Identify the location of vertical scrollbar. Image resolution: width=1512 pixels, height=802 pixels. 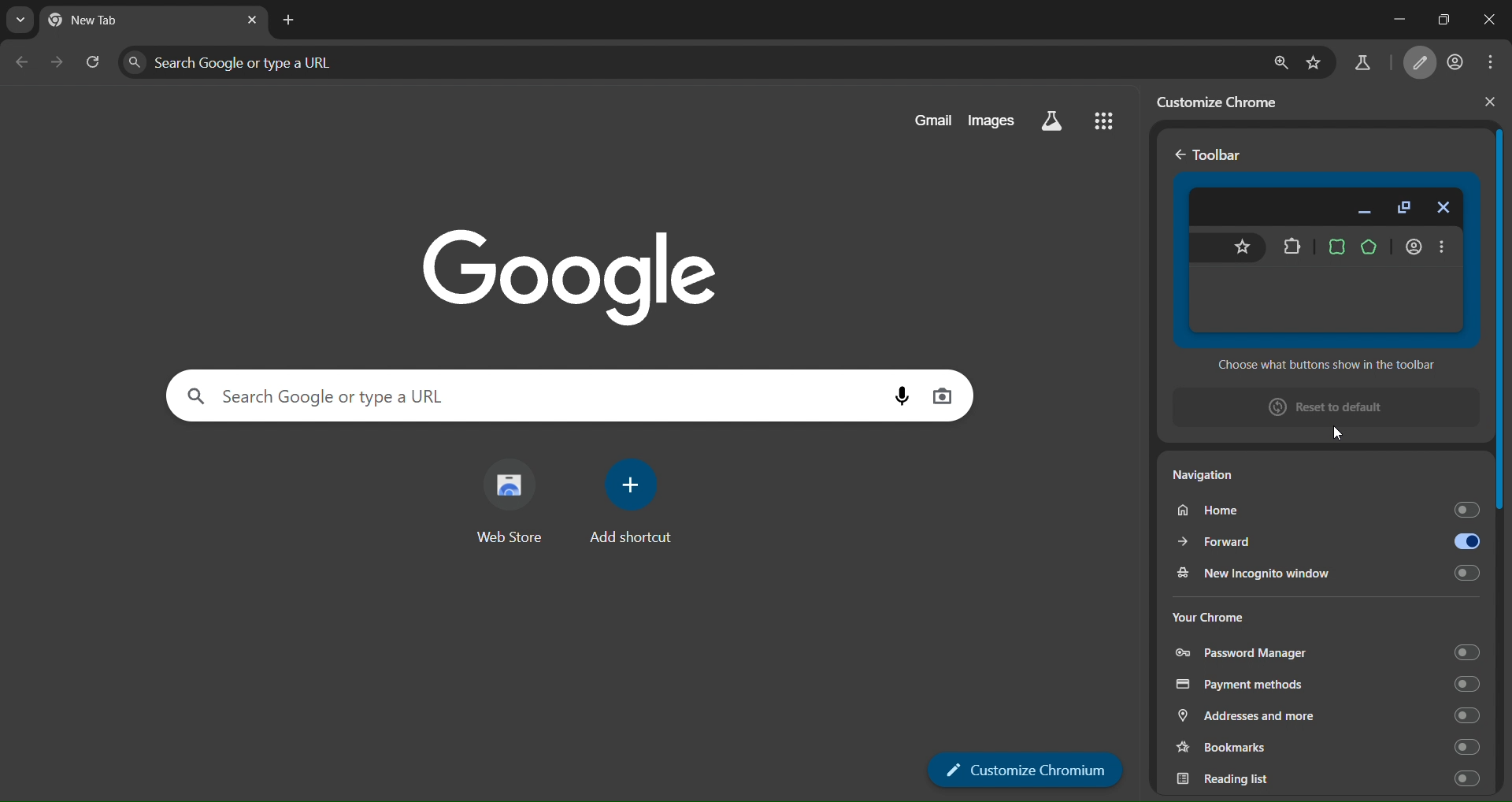
(1501, 454).